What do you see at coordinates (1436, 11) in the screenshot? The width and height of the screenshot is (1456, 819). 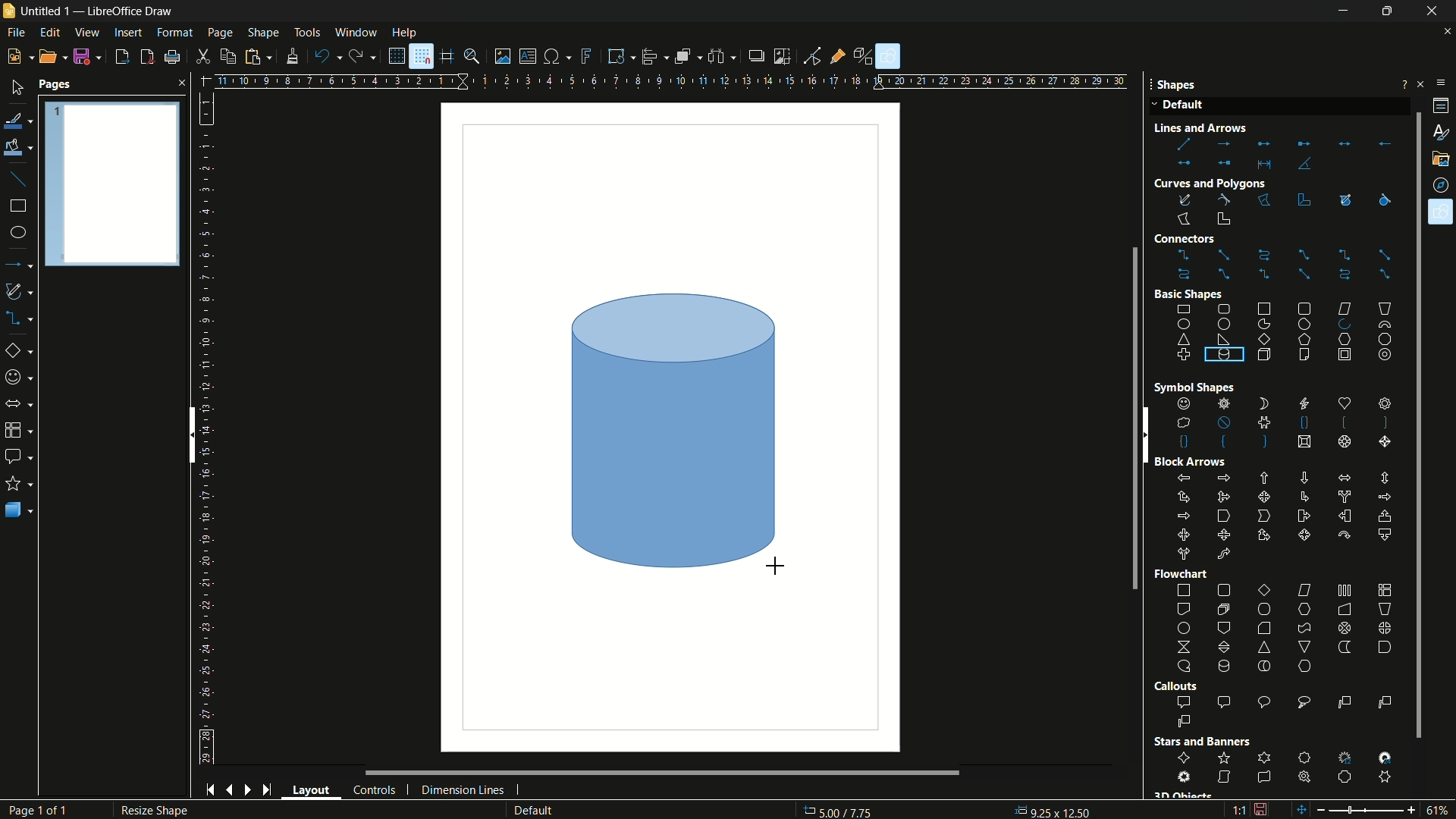 I see `close app` at bounding box center [1436, 11].